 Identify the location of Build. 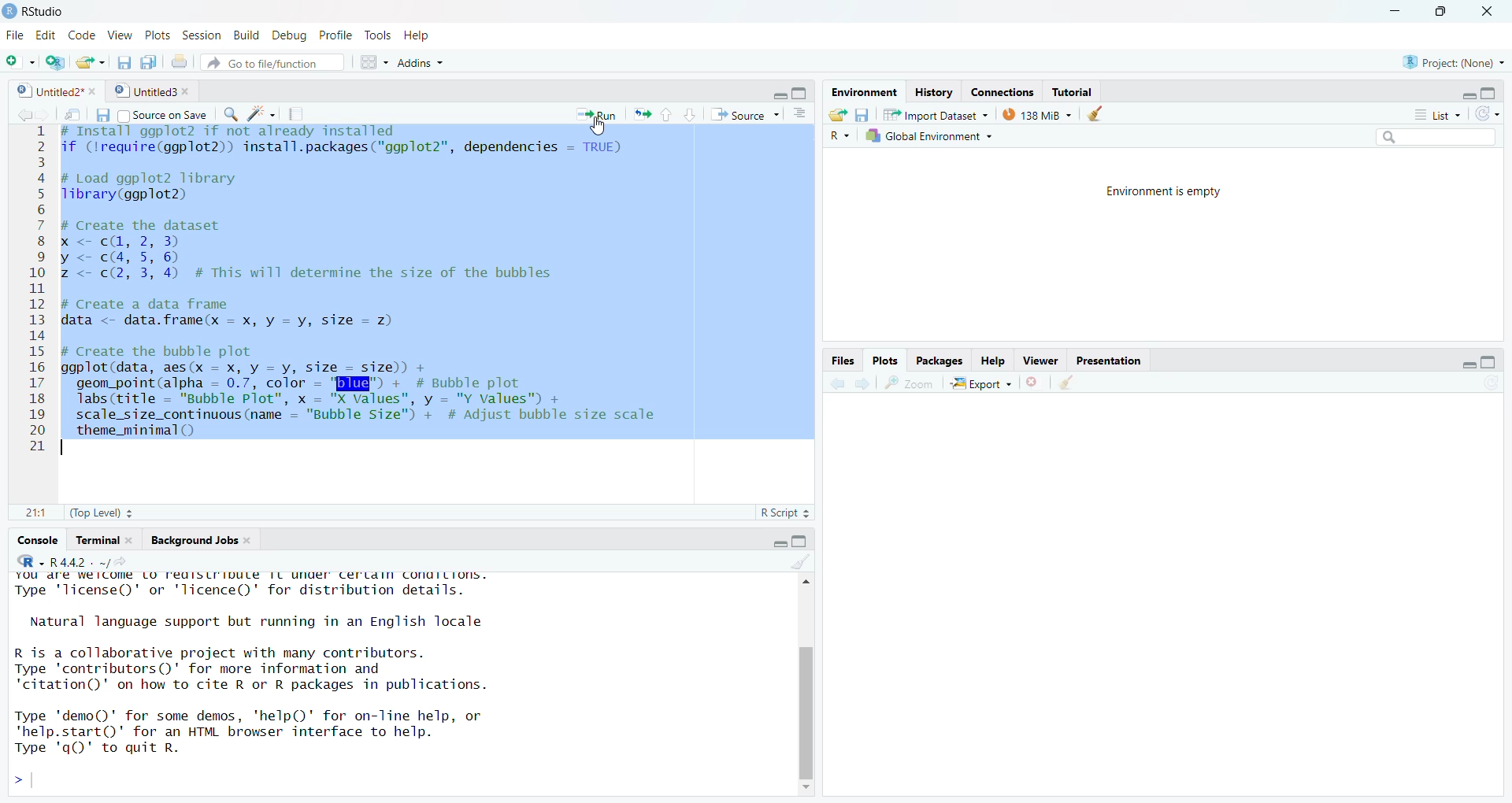
(243, 36).